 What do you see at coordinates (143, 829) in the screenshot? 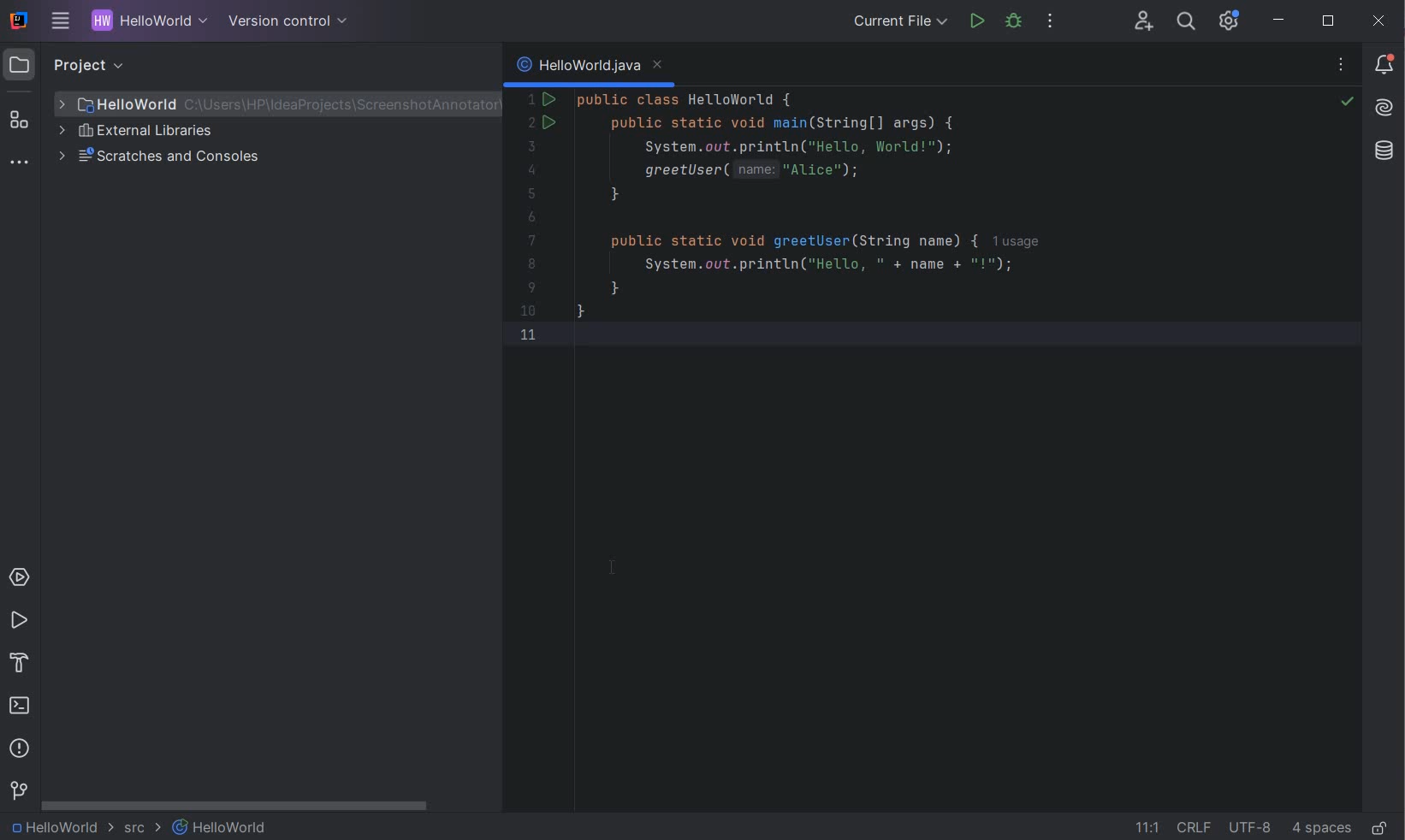
I see `SRC` at bounding box center [143, 829].